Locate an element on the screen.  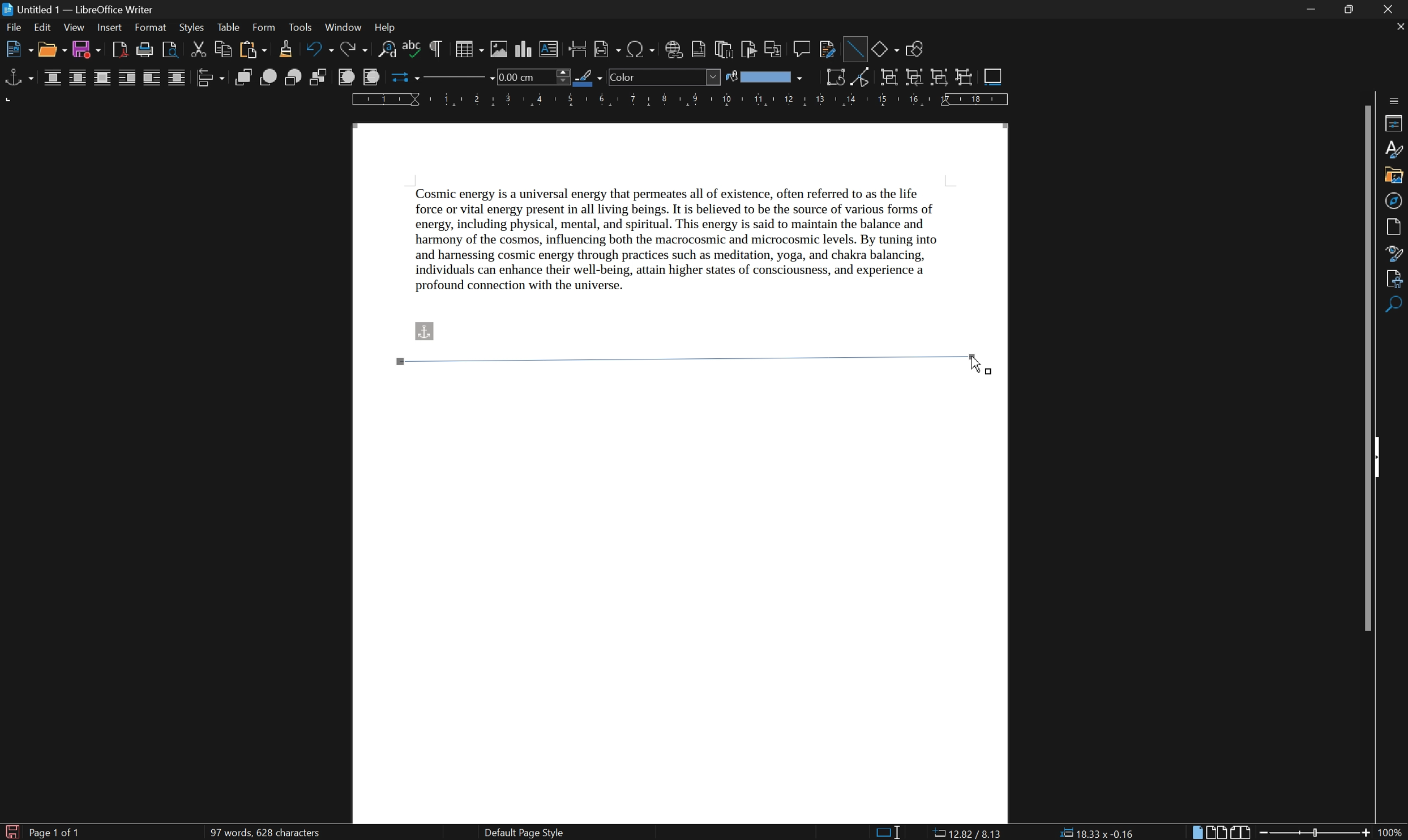
line color is located at coordinates (589, 78).